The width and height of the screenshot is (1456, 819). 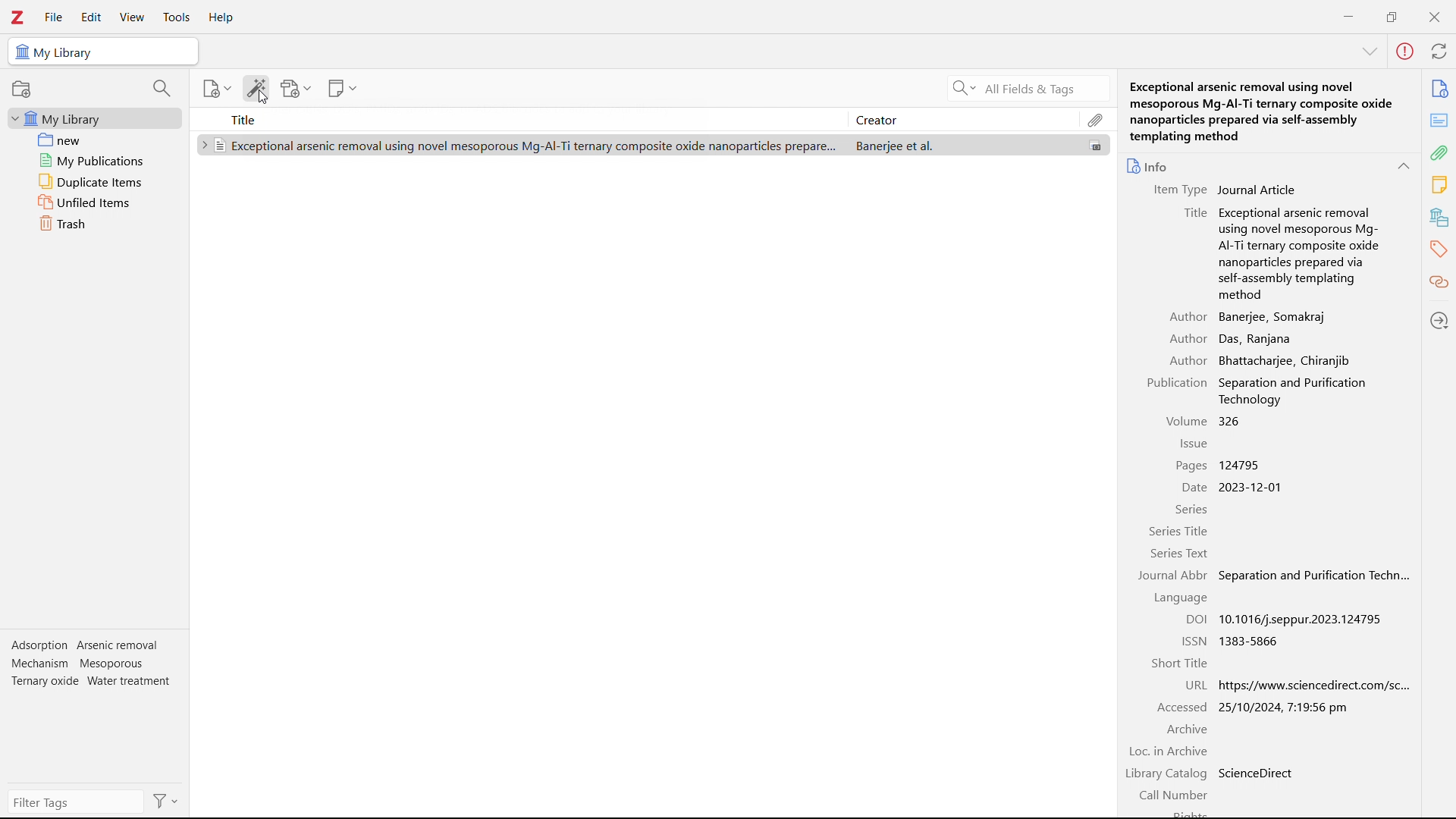 What do you see at coordinates (256, 88) in the screenshot?
I see `add items by identifiers` at bounding box center [256, 88].